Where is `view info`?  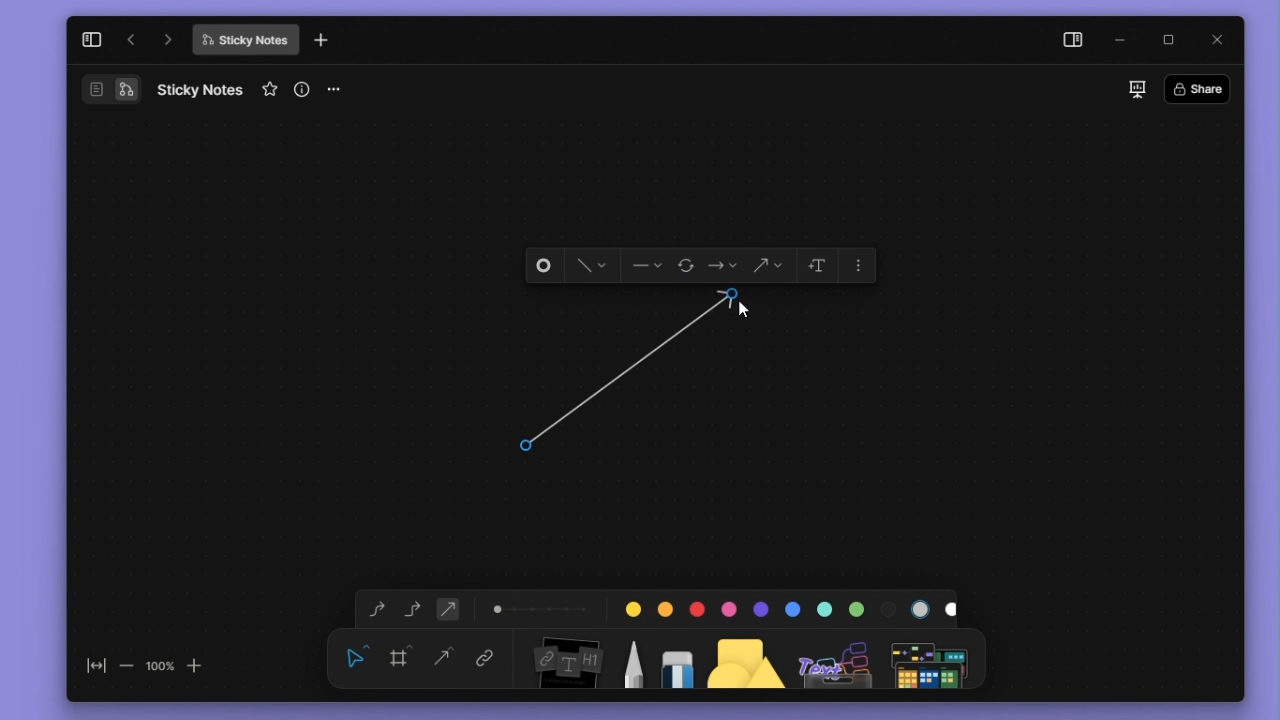 view info is located at coordinates (304, 89).